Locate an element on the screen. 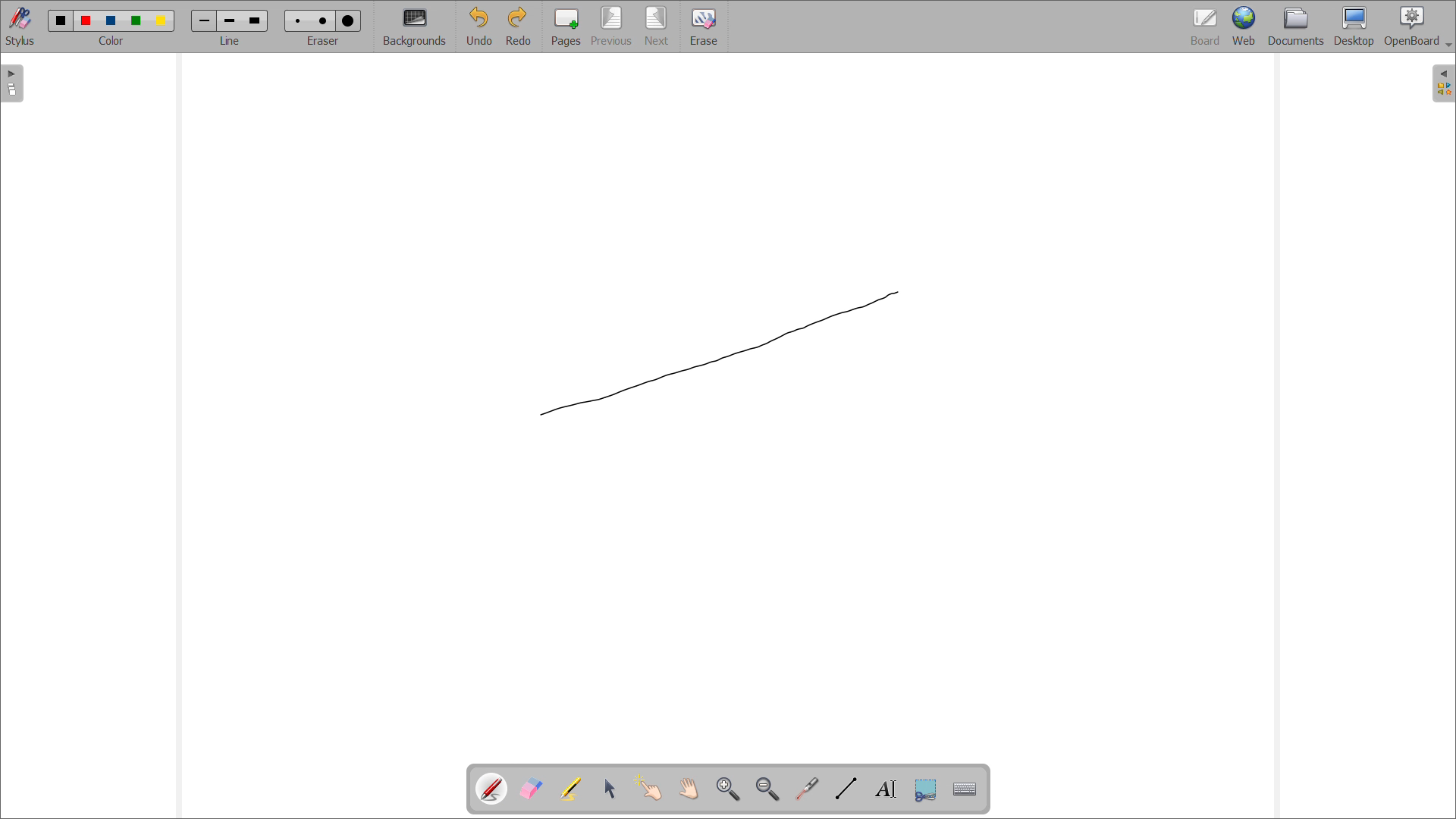 Image resolution: width=1456 pixels, height=819 pixels. Eraser size is located at coordinates (348, 21).